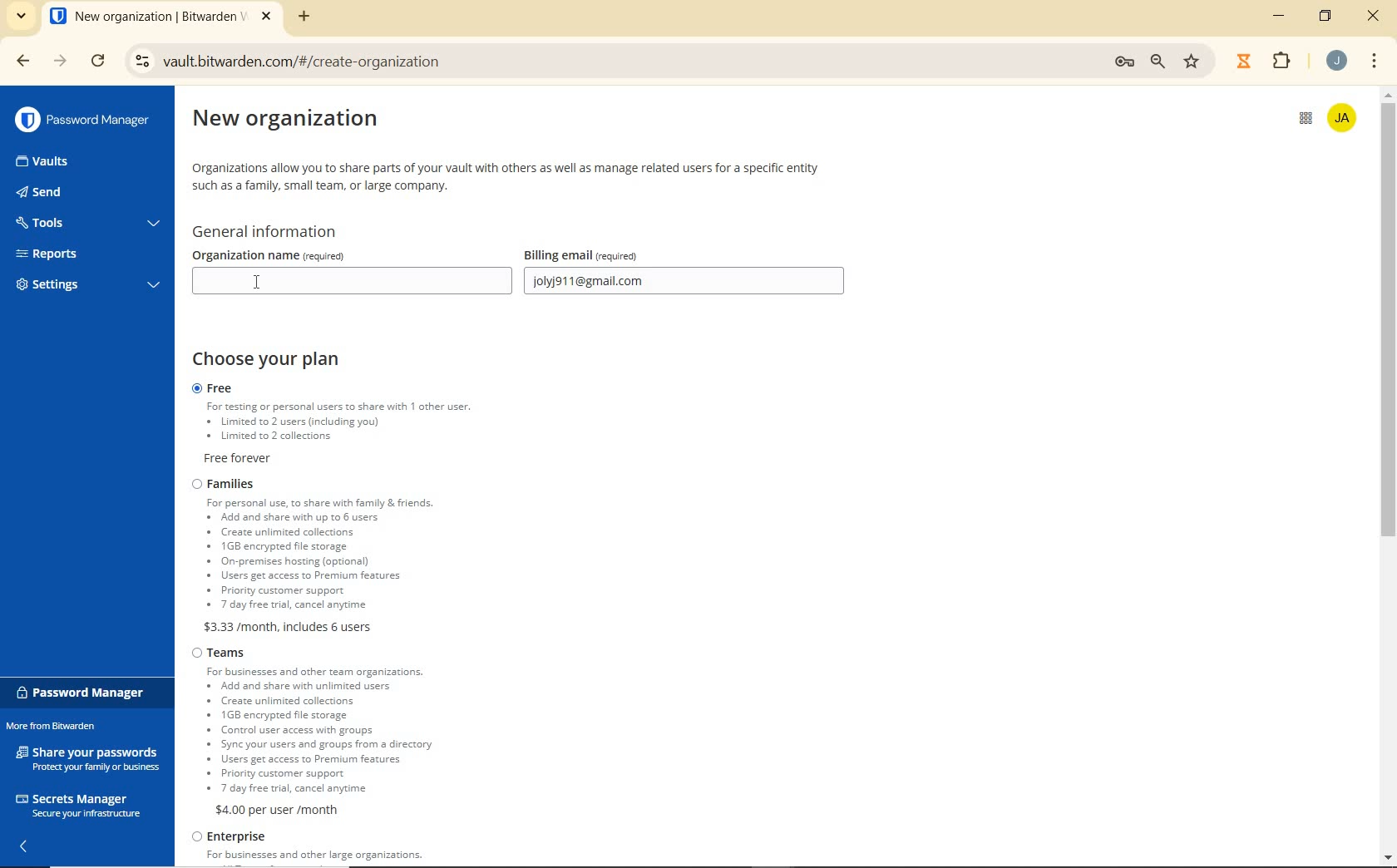 The width and height of the screenshot is (1397, 868). I want to click on password manager, so click(84, 693).